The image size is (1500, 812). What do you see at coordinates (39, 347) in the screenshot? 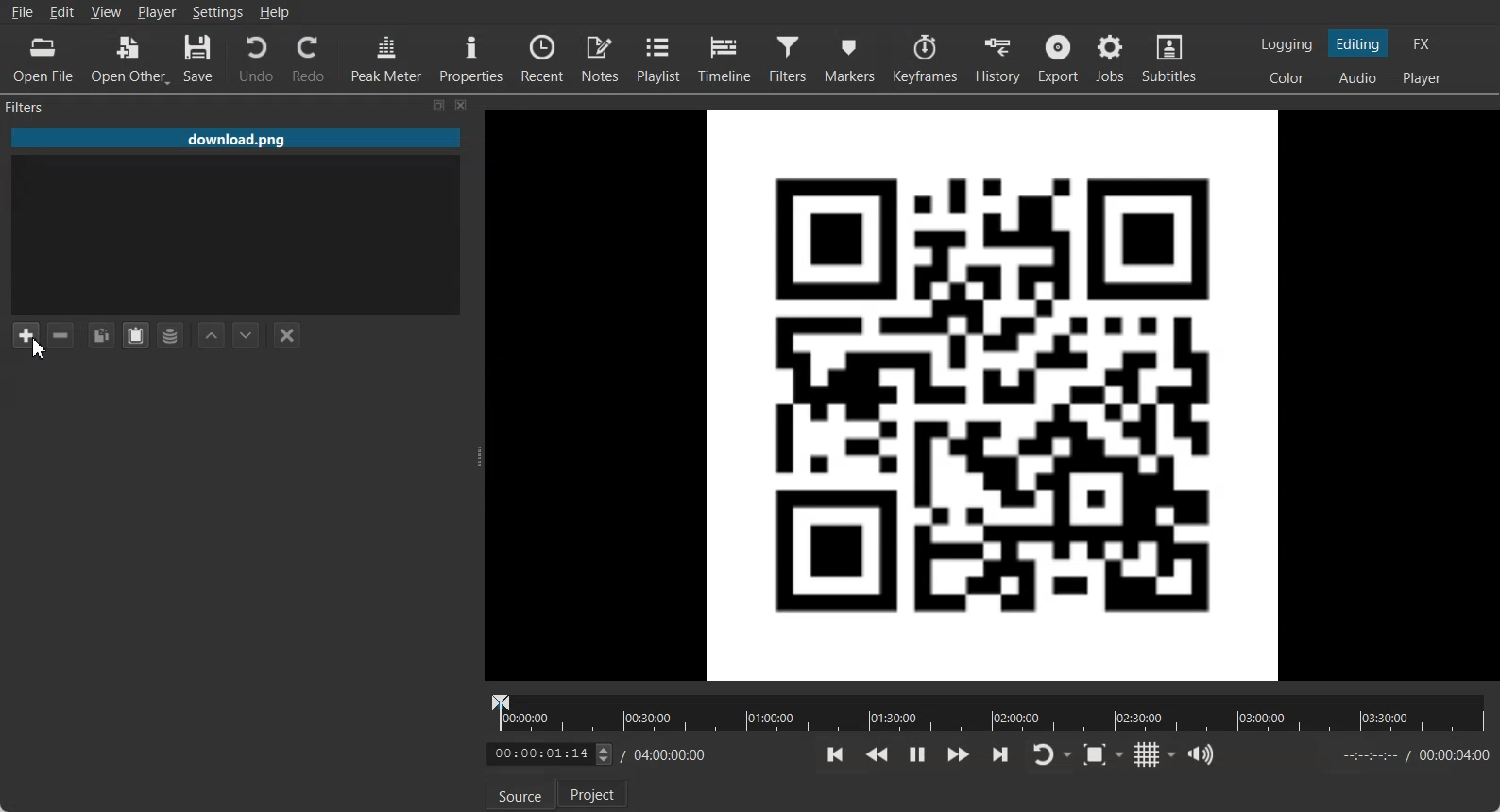
I see `Cursor` at bounding box center [39, 347].